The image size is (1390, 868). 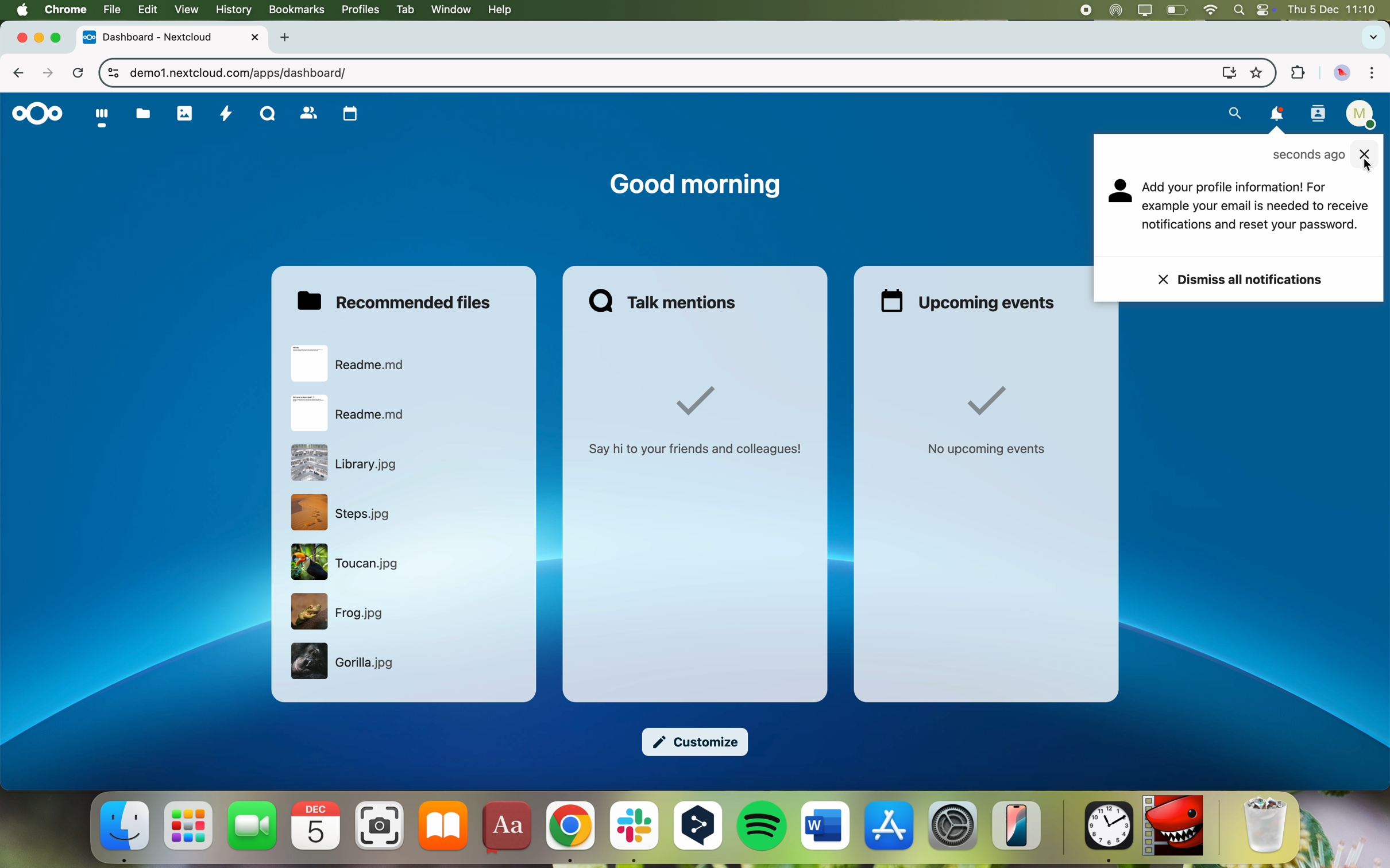 I want to click on file, so click(x=341, y=613).